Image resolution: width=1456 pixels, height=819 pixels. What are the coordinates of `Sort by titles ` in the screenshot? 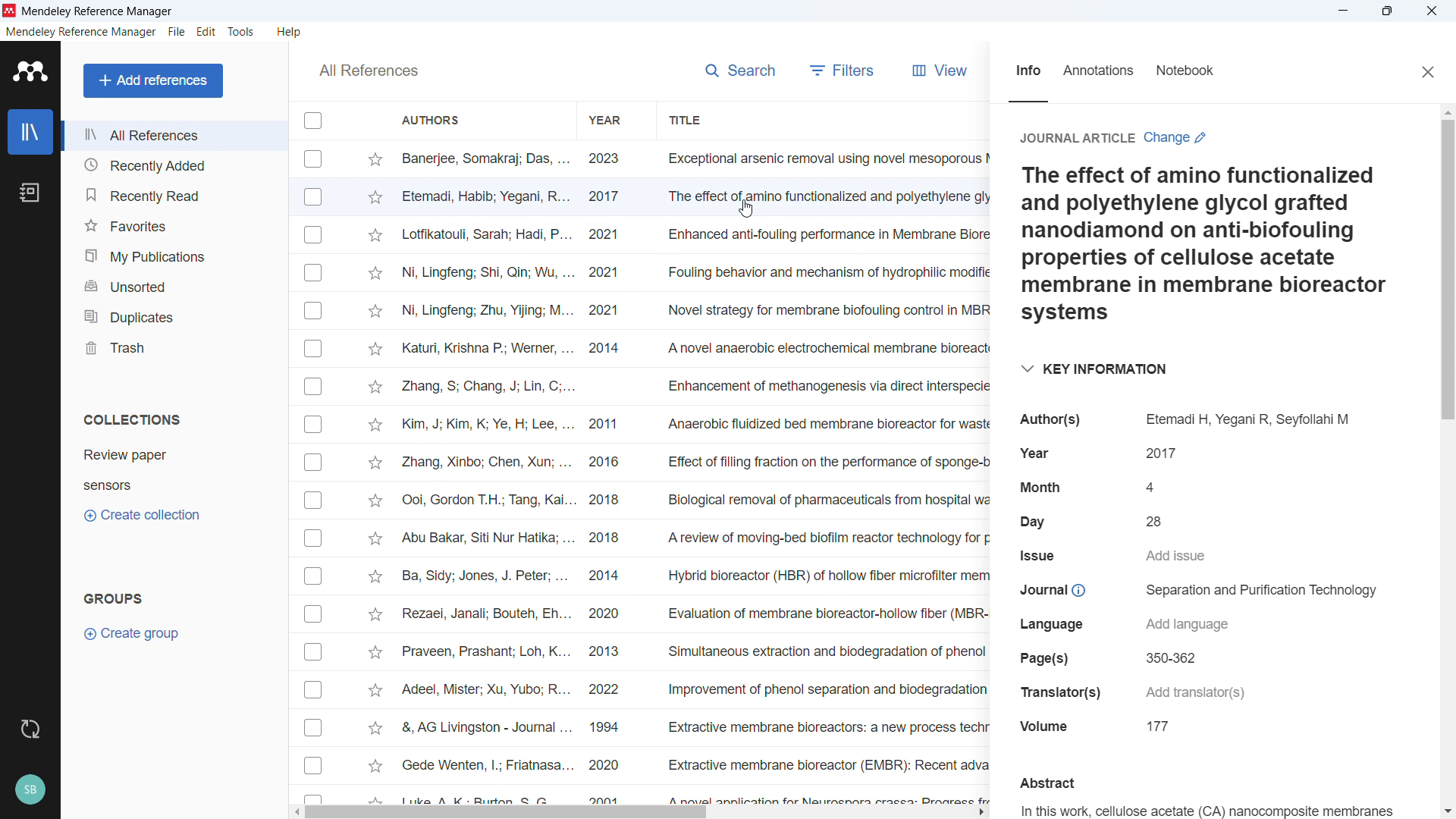 It's located at (689, 121).